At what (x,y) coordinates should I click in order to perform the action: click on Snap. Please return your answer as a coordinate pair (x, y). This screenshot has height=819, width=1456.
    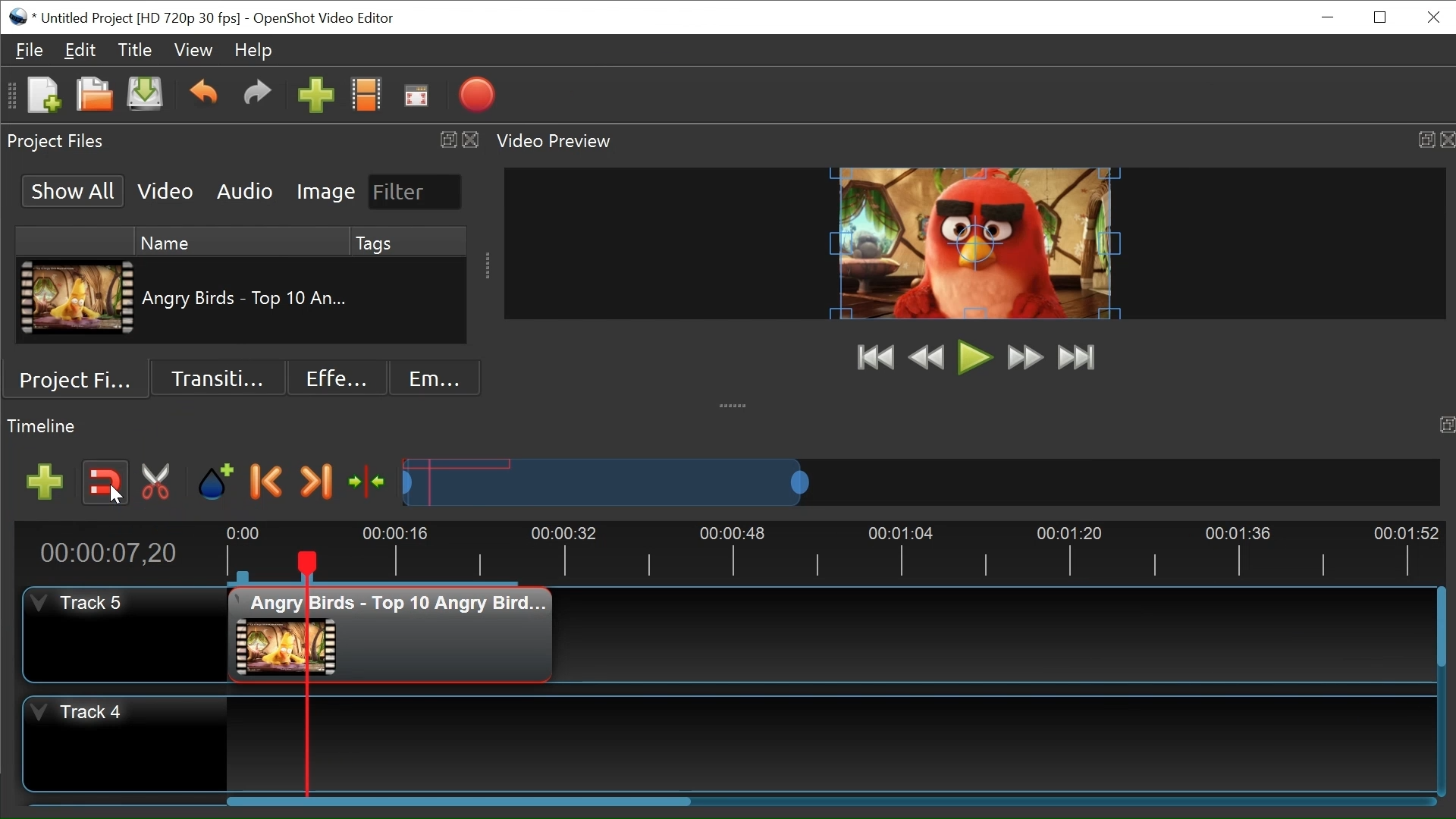
    Looking at the image, I should click on (102, 483).